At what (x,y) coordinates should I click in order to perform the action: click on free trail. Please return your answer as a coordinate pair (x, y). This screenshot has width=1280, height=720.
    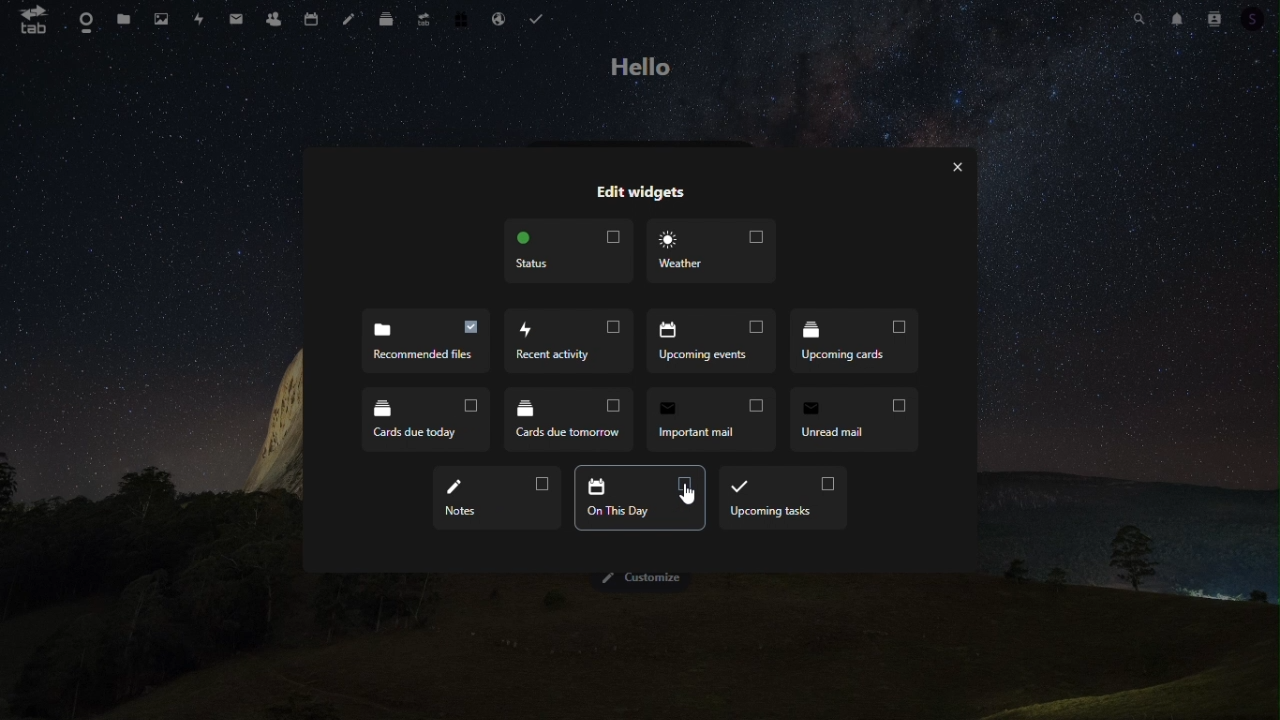
    Looking at the image, I should click on (461, 22).